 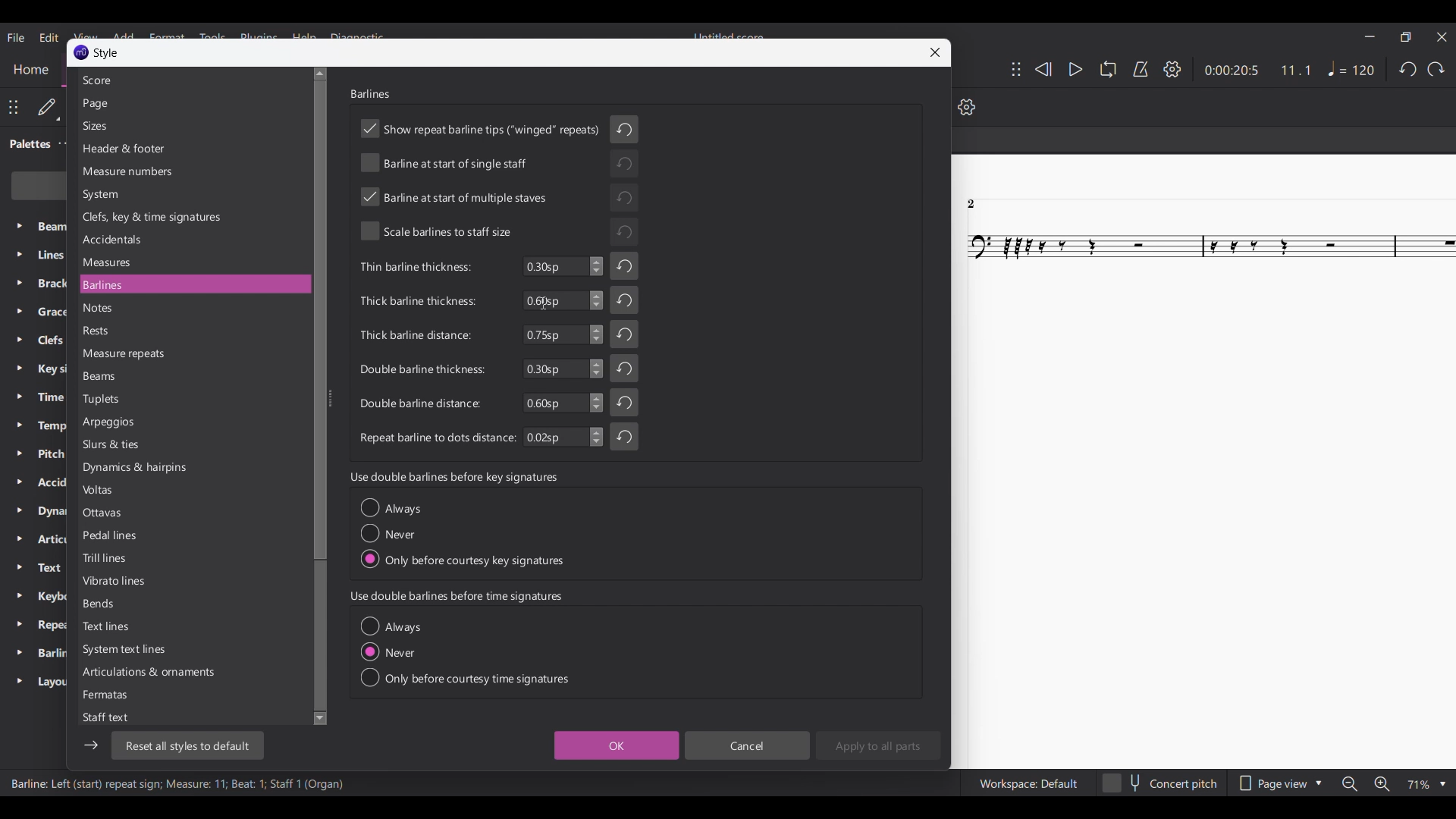 I want to click on Undo, so click(x=1407, y=69).